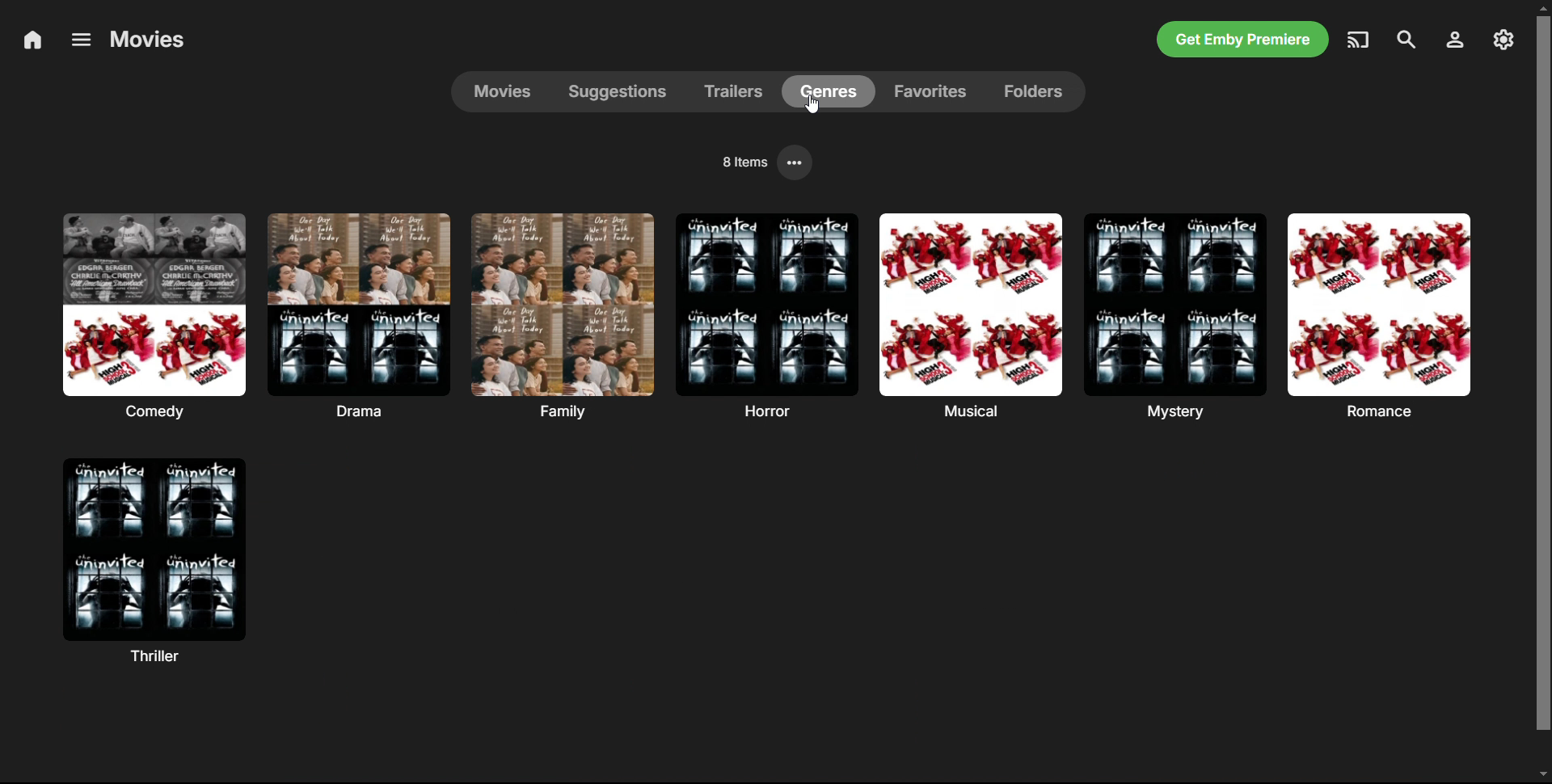 This screenshot has height=784, width=1552. I want to click on options, so click(798, 162).